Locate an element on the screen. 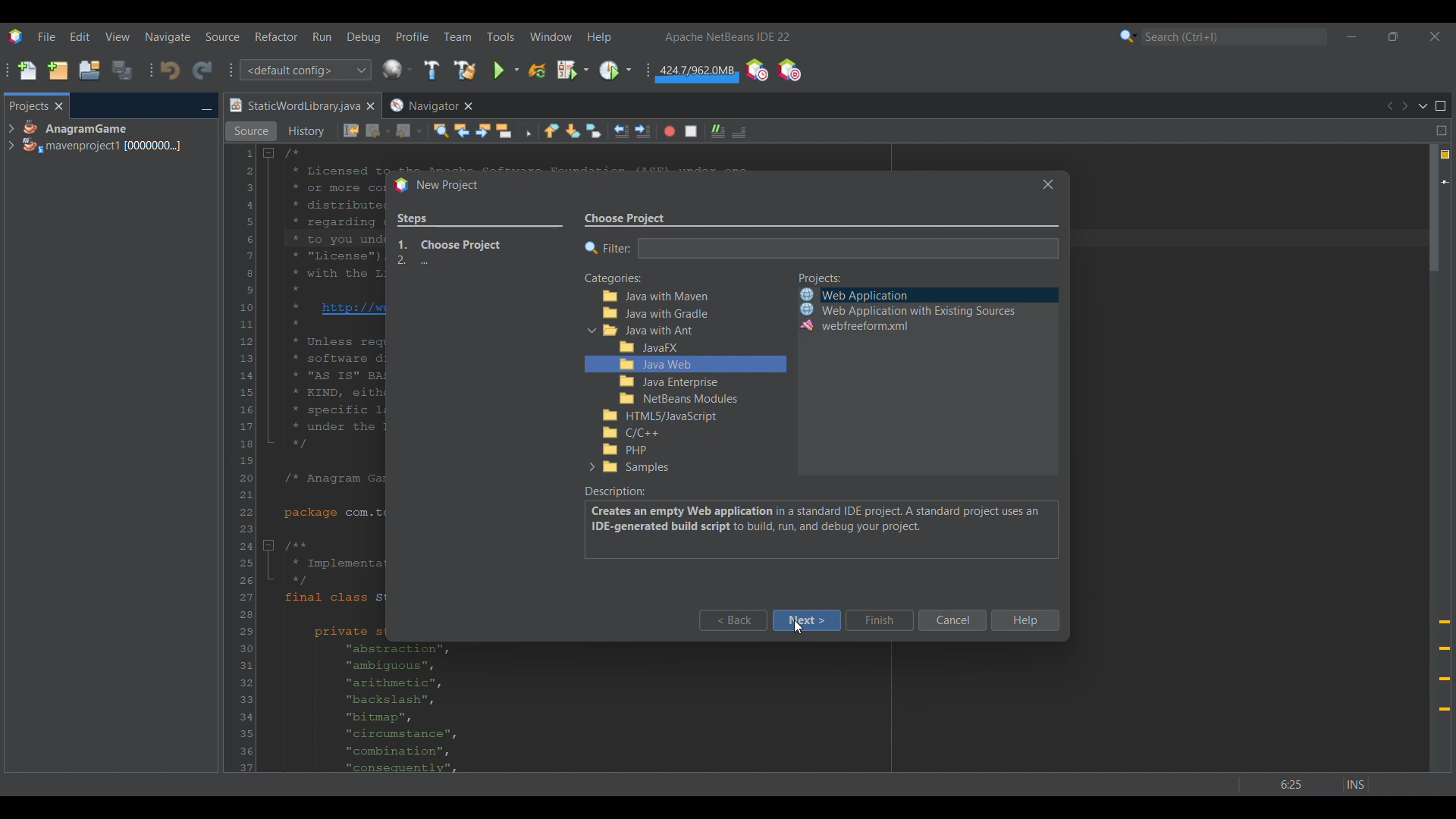  Indicates search text box is located at coordinates (608, 248).